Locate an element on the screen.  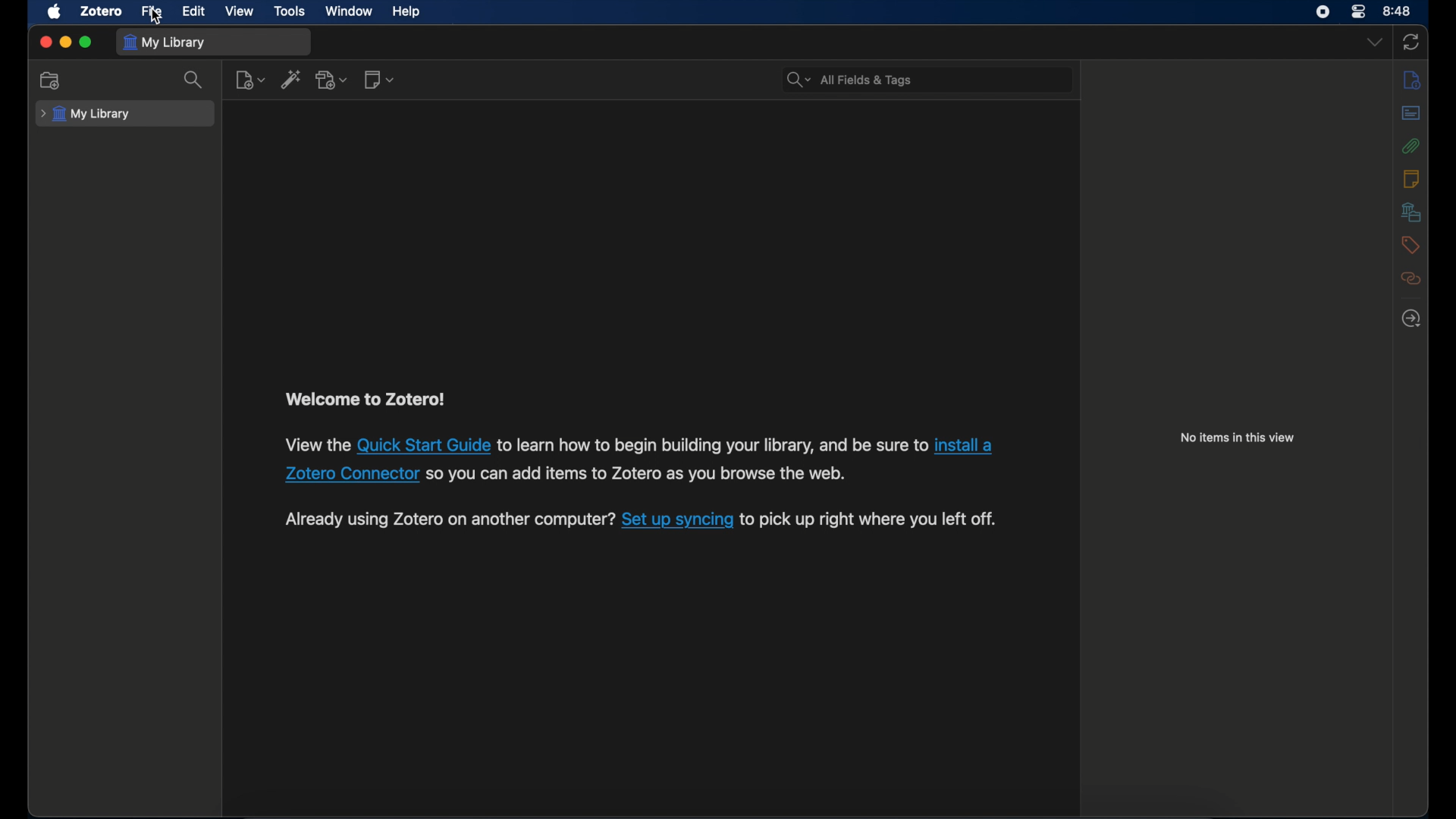
sync is located at coordinates (1412, 42).